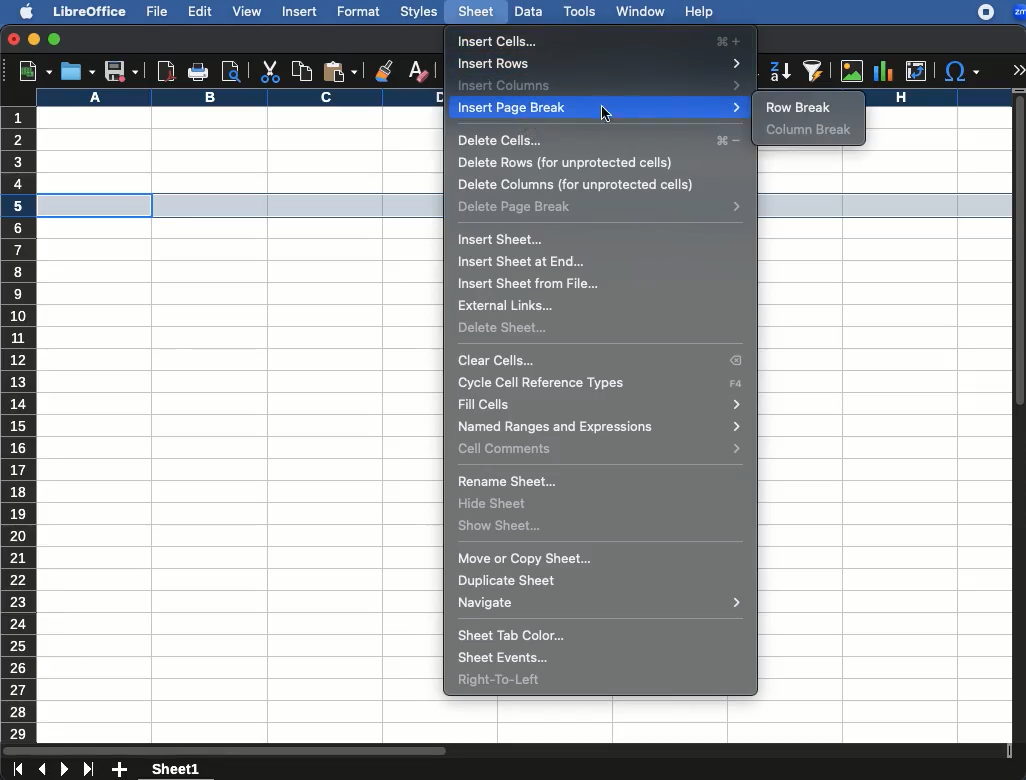 The image size is (1026, 780). What do you see at coordinates (17, 425) in the screenshot?
I see `rows` at bounding box center [17, 425].